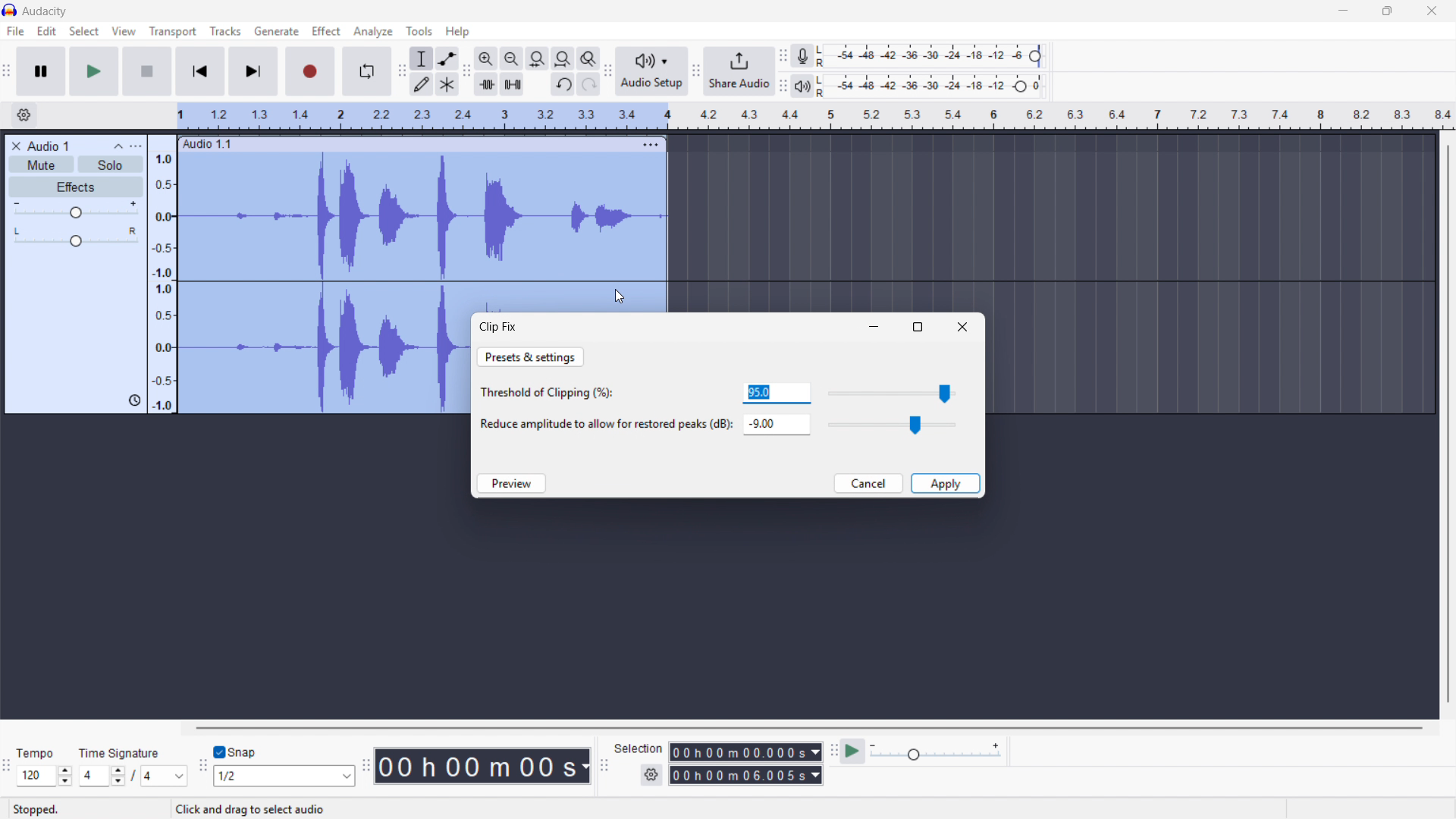 This screenshot has height=819, width=1456. I want to click on Track title, so click(49, 146).